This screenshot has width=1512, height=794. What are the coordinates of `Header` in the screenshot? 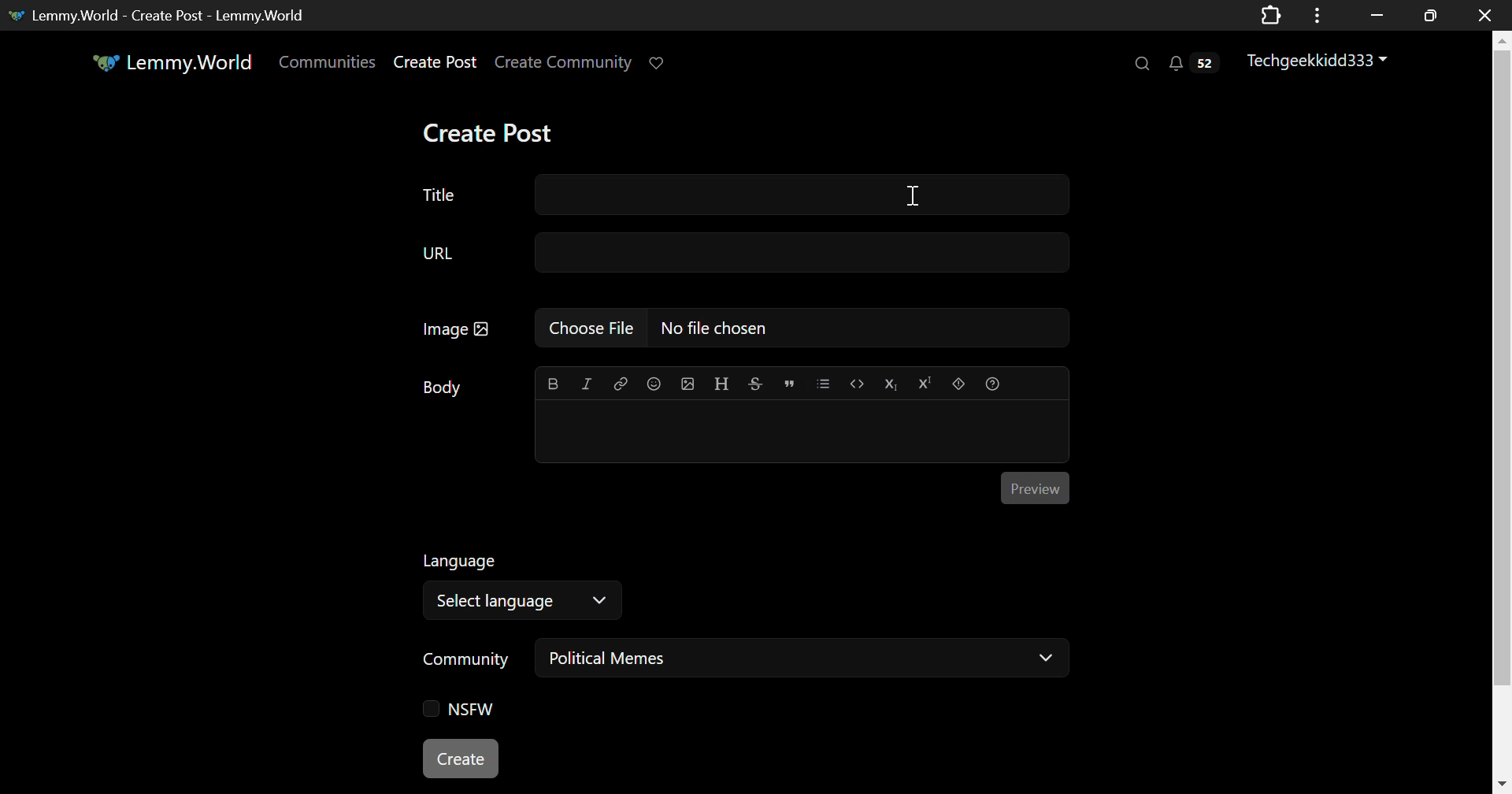 It's located at (722, 384).